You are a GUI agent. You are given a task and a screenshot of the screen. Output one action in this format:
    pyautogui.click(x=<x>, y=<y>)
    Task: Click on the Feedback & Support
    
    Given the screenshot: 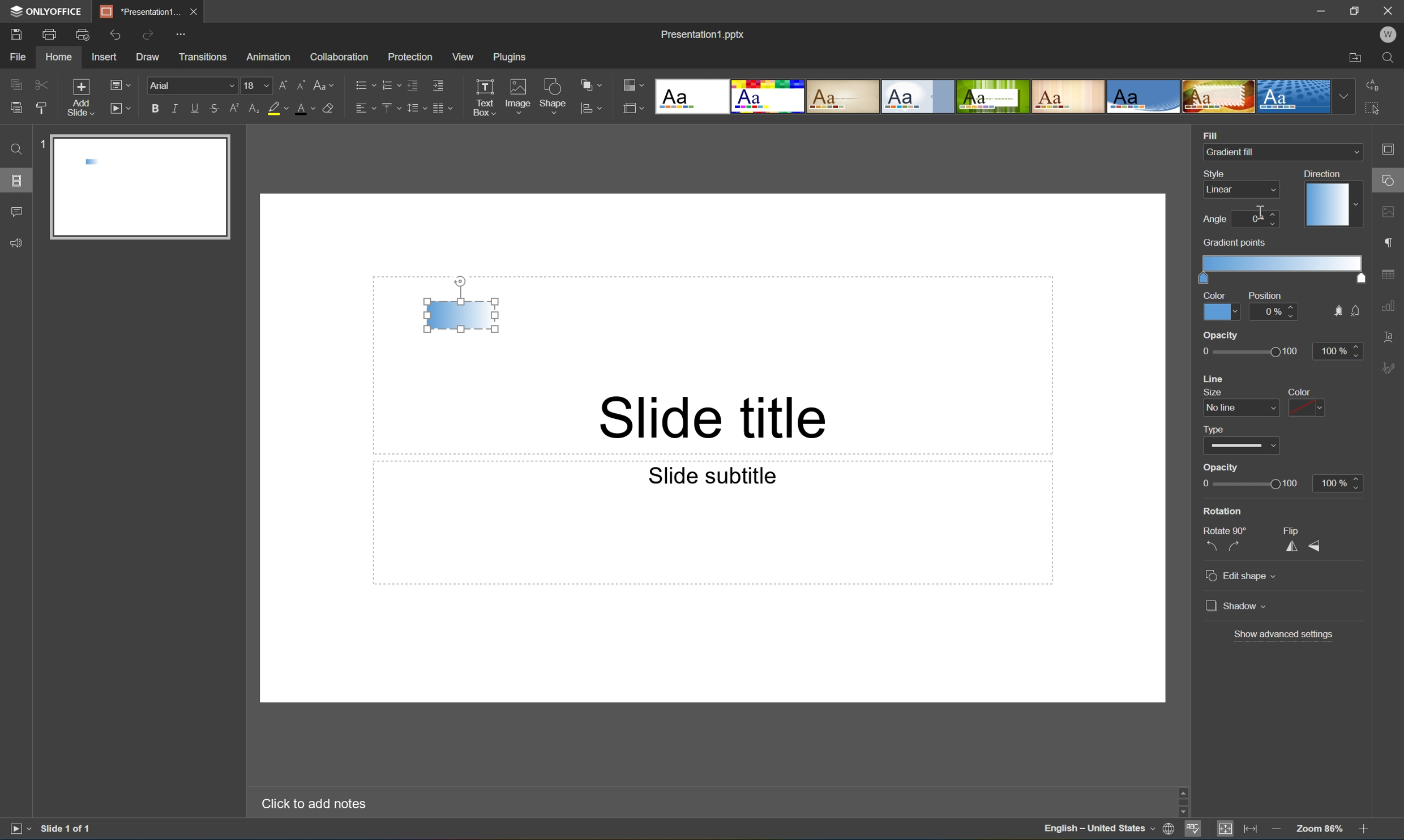 What is the action you would take?
    pyautogui.click(x=18, y=242)
    